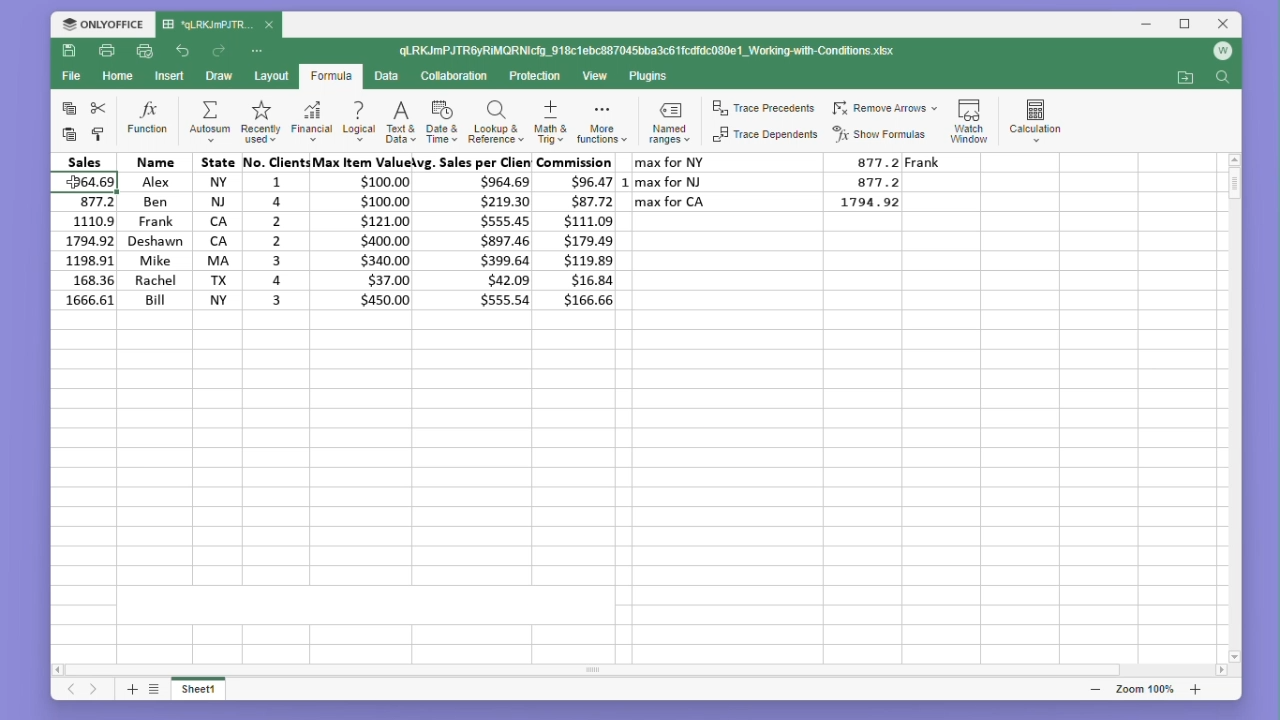 Image resolution: width=1280 pixels, height=720 pixels. I want to click on no. clients, so click(275, 229).